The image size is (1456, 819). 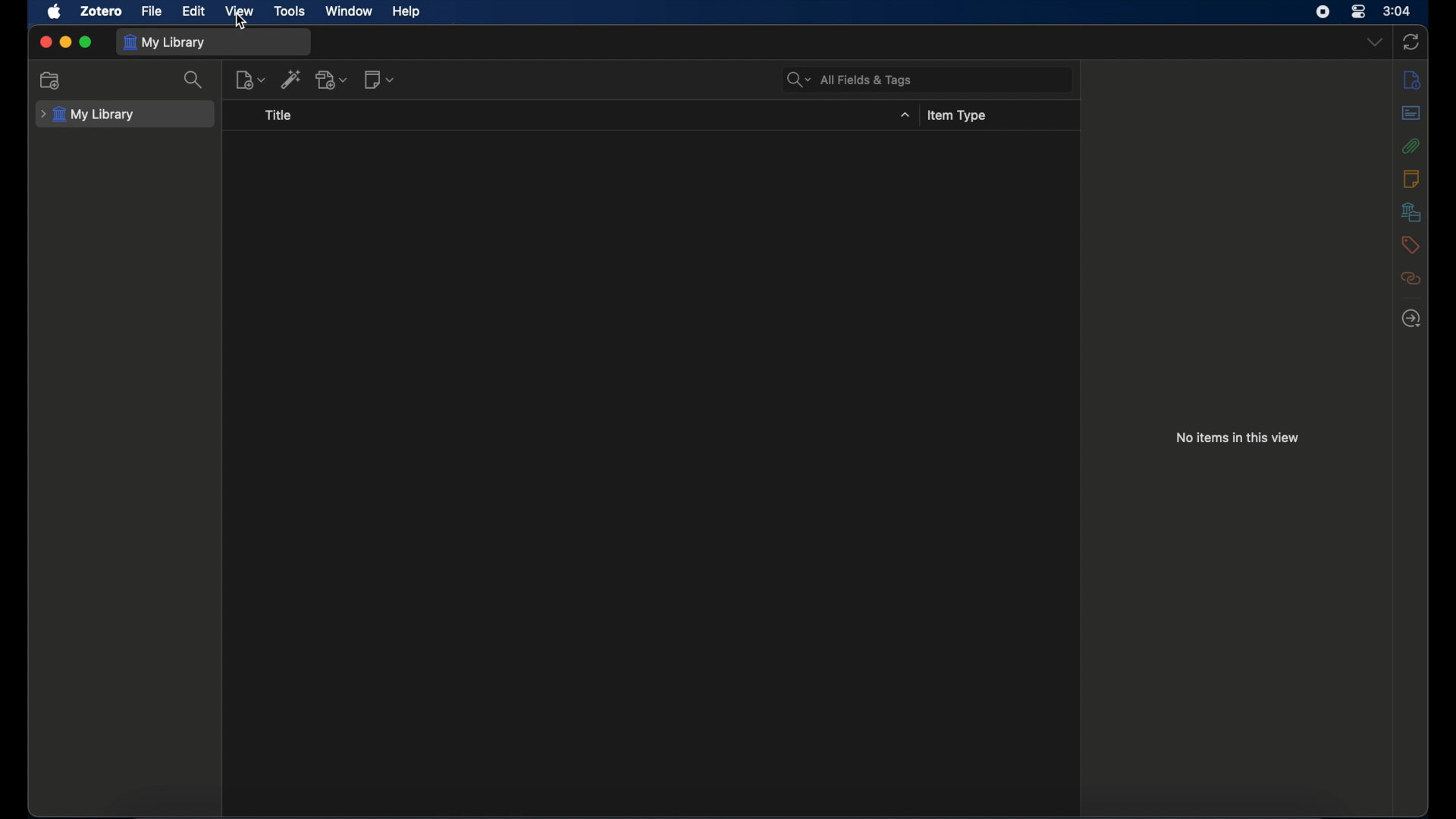 I want to click on file, so click(x=152, y=11).